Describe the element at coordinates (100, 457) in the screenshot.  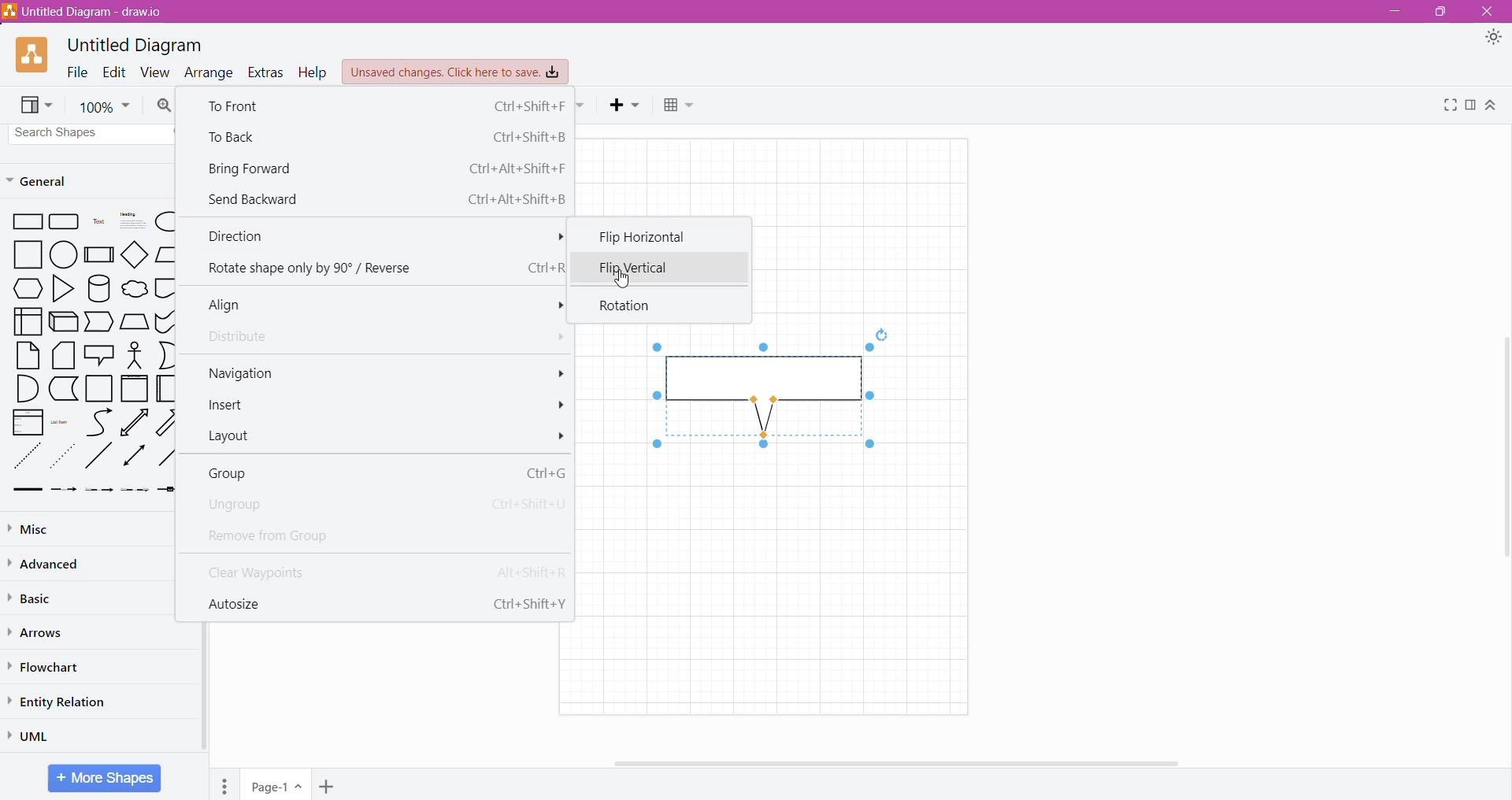
I see `diagonal line` at that location.